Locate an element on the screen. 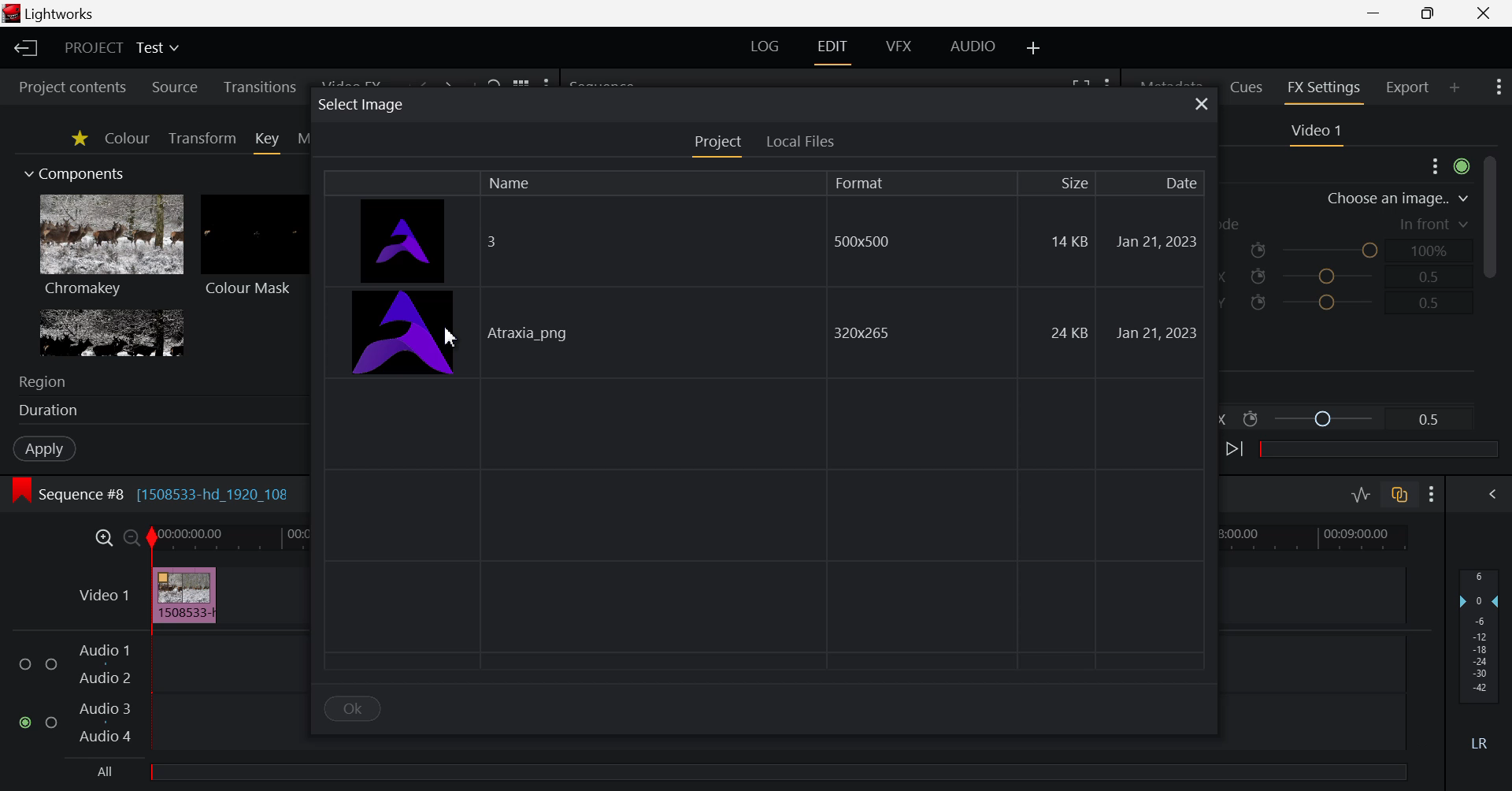 The height and width of the screenshot is (791, 1512). Components Section is located at coordinates (81, 171).